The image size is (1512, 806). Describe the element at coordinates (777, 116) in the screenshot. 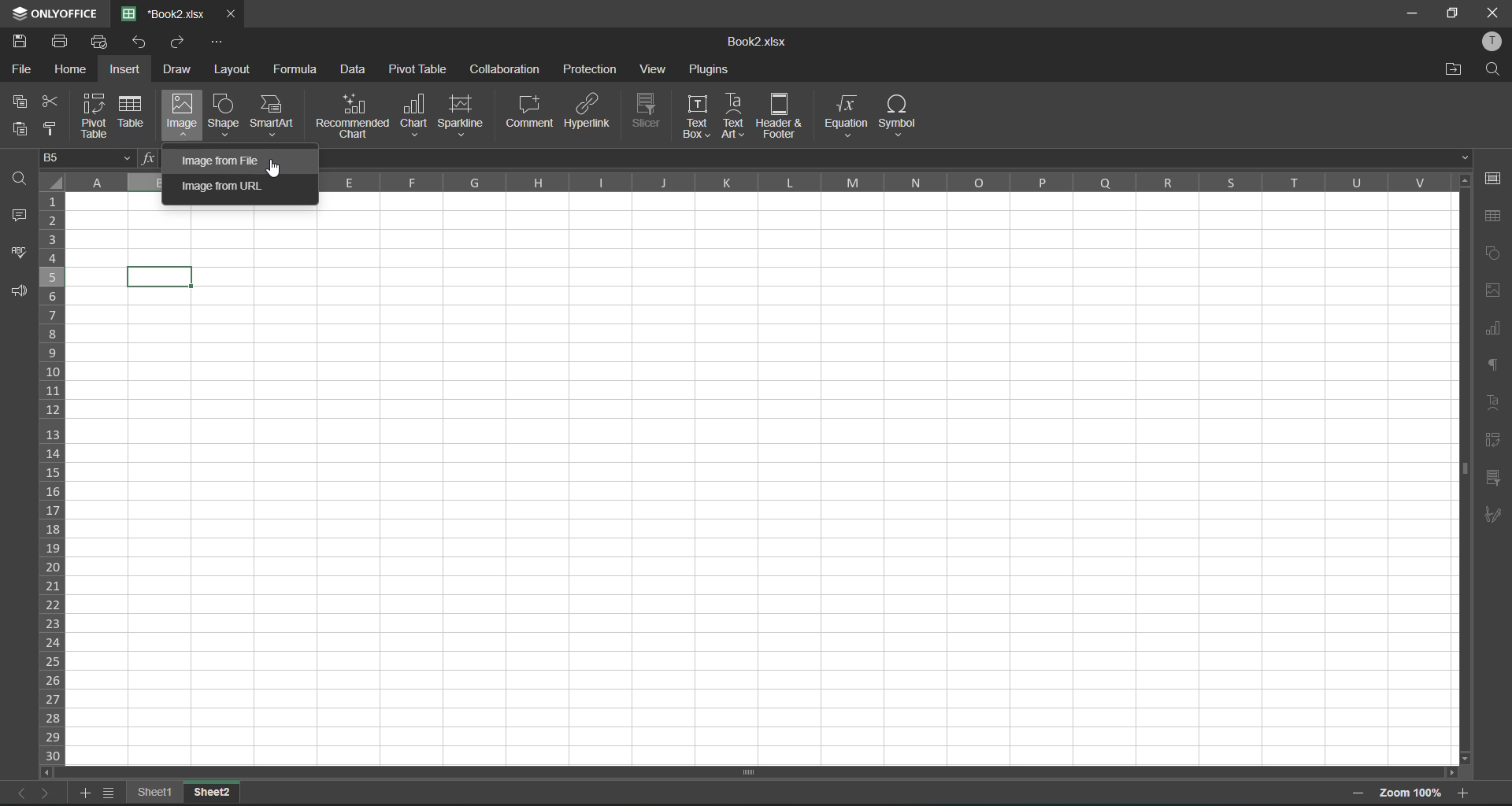

I see `header and footer` at that location.